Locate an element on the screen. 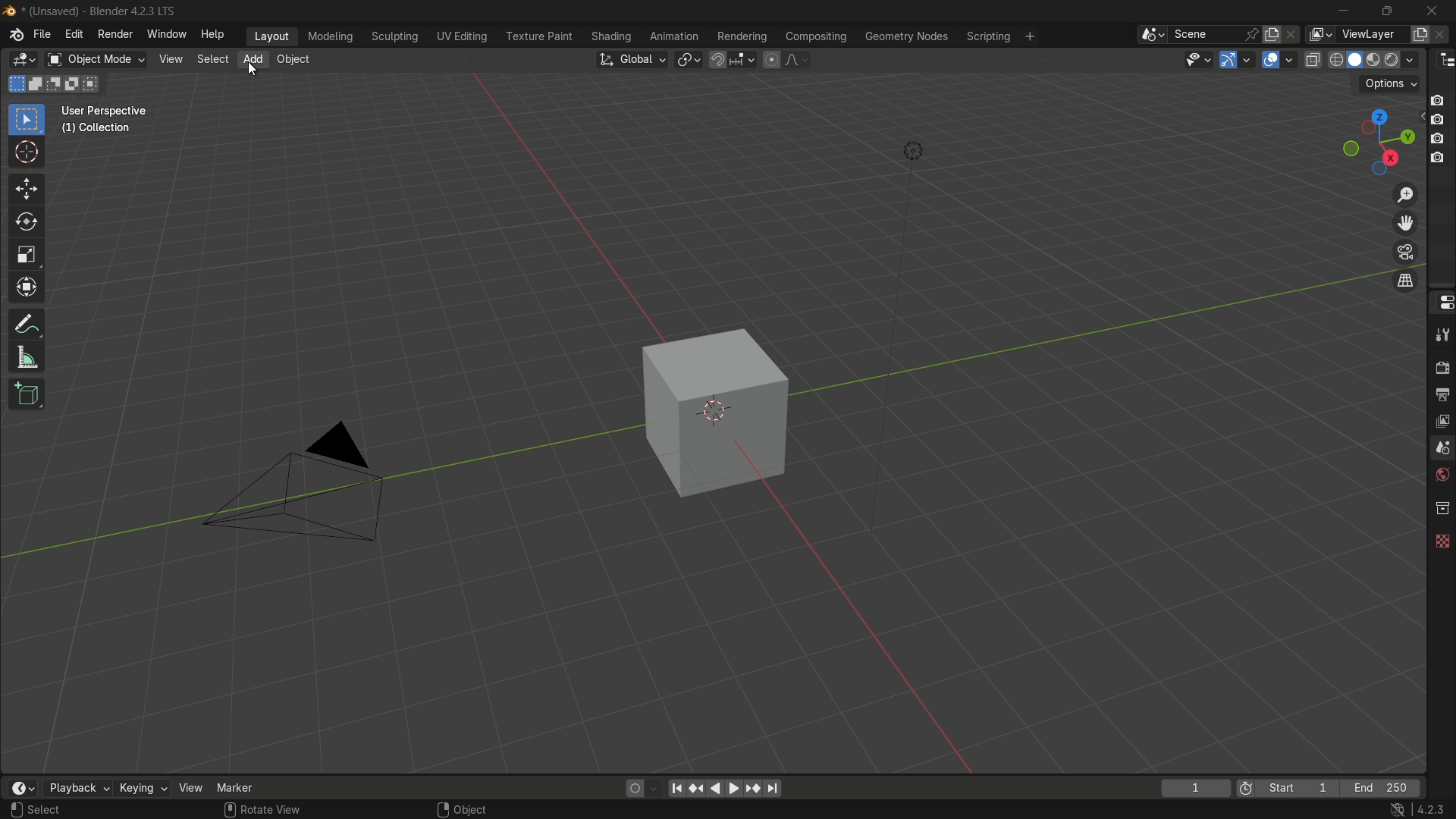  render is located at coordinates (1403, 59).